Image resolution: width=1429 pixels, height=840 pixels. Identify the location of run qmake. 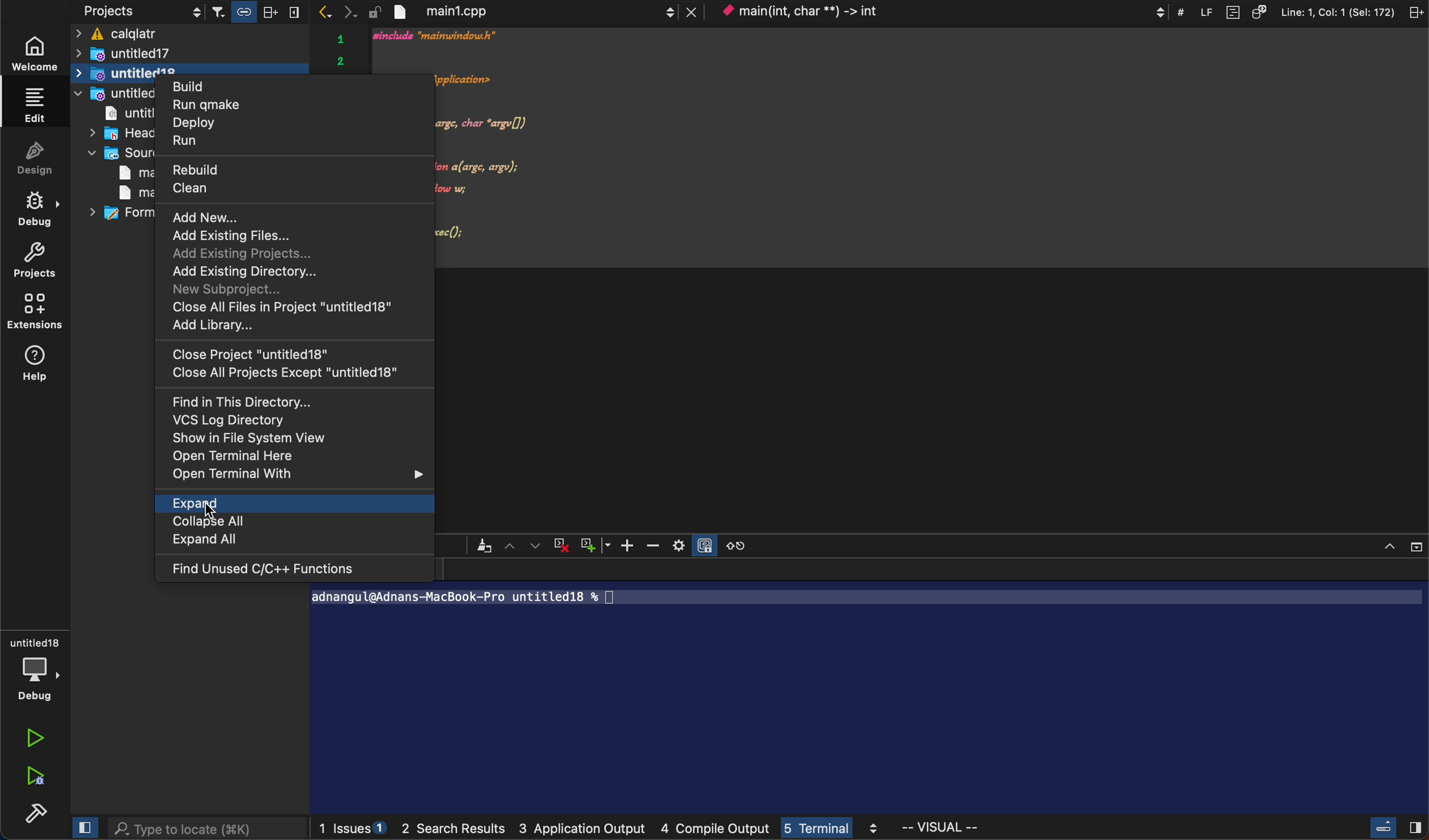
(208, 105).